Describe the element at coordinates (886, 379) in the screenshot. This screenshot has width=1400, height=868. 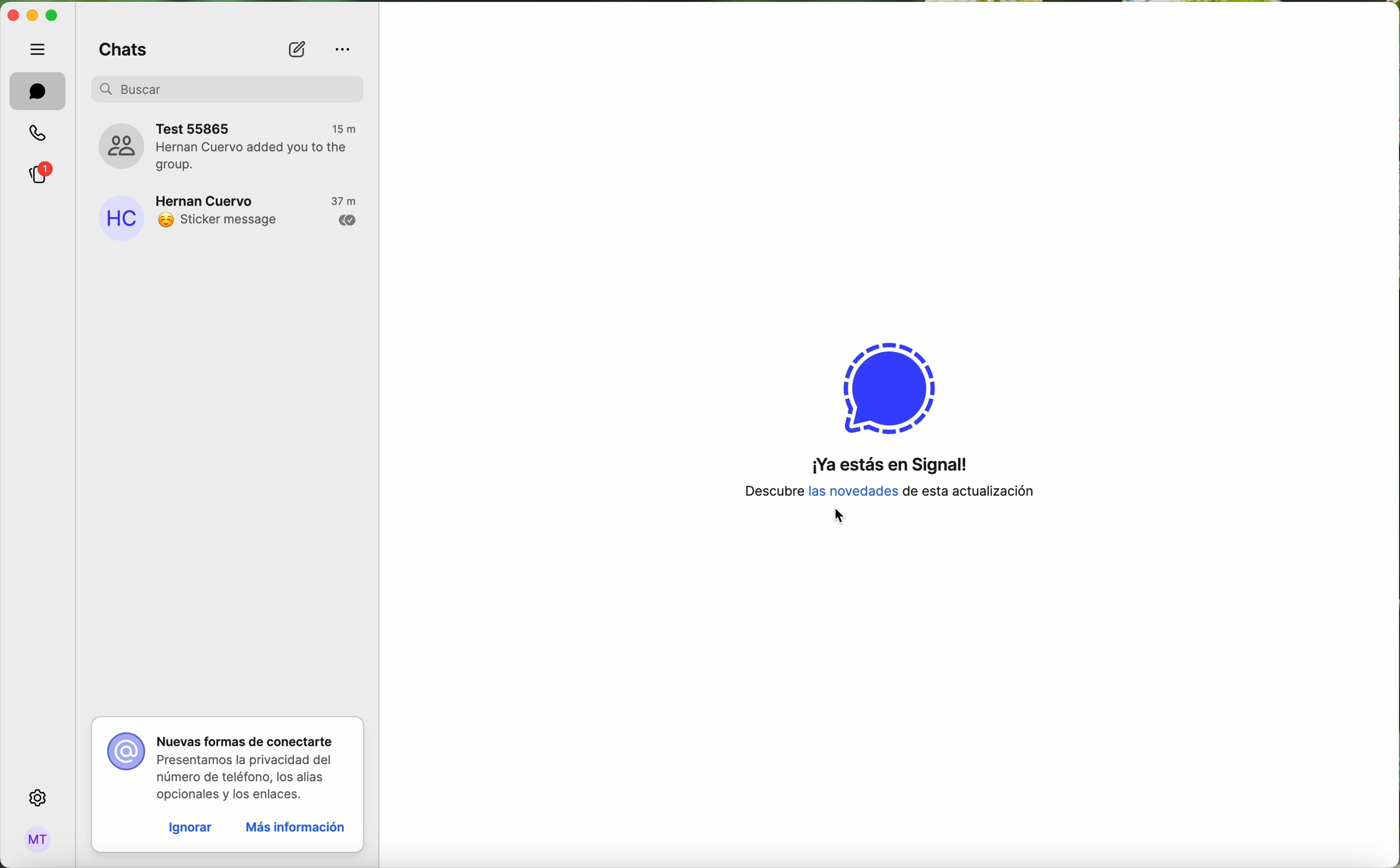
I see `Signal logo` at that location.